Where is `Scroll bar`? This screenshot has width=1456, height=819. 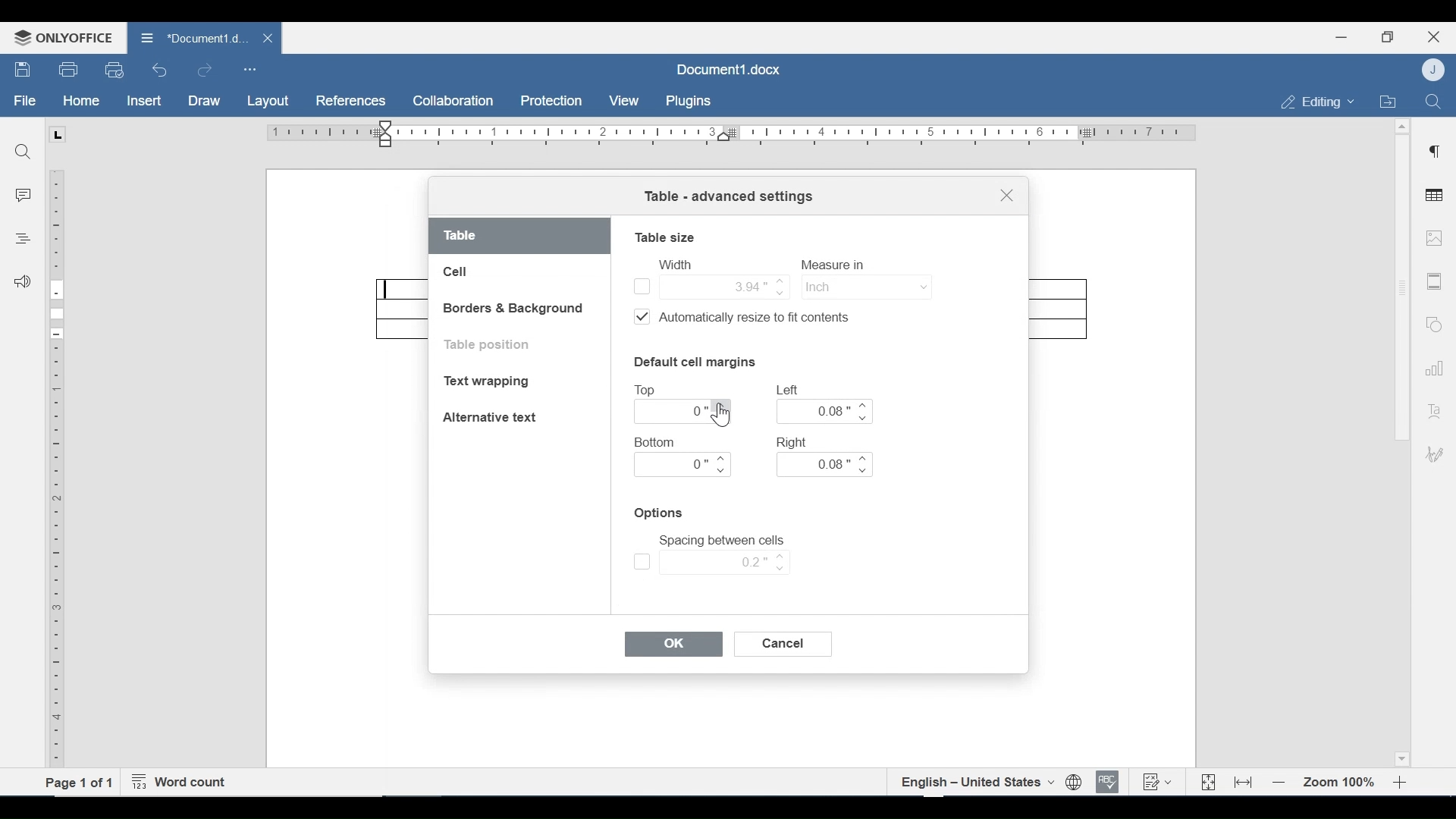
Scroll bar is located at coordinates (1401, 287).